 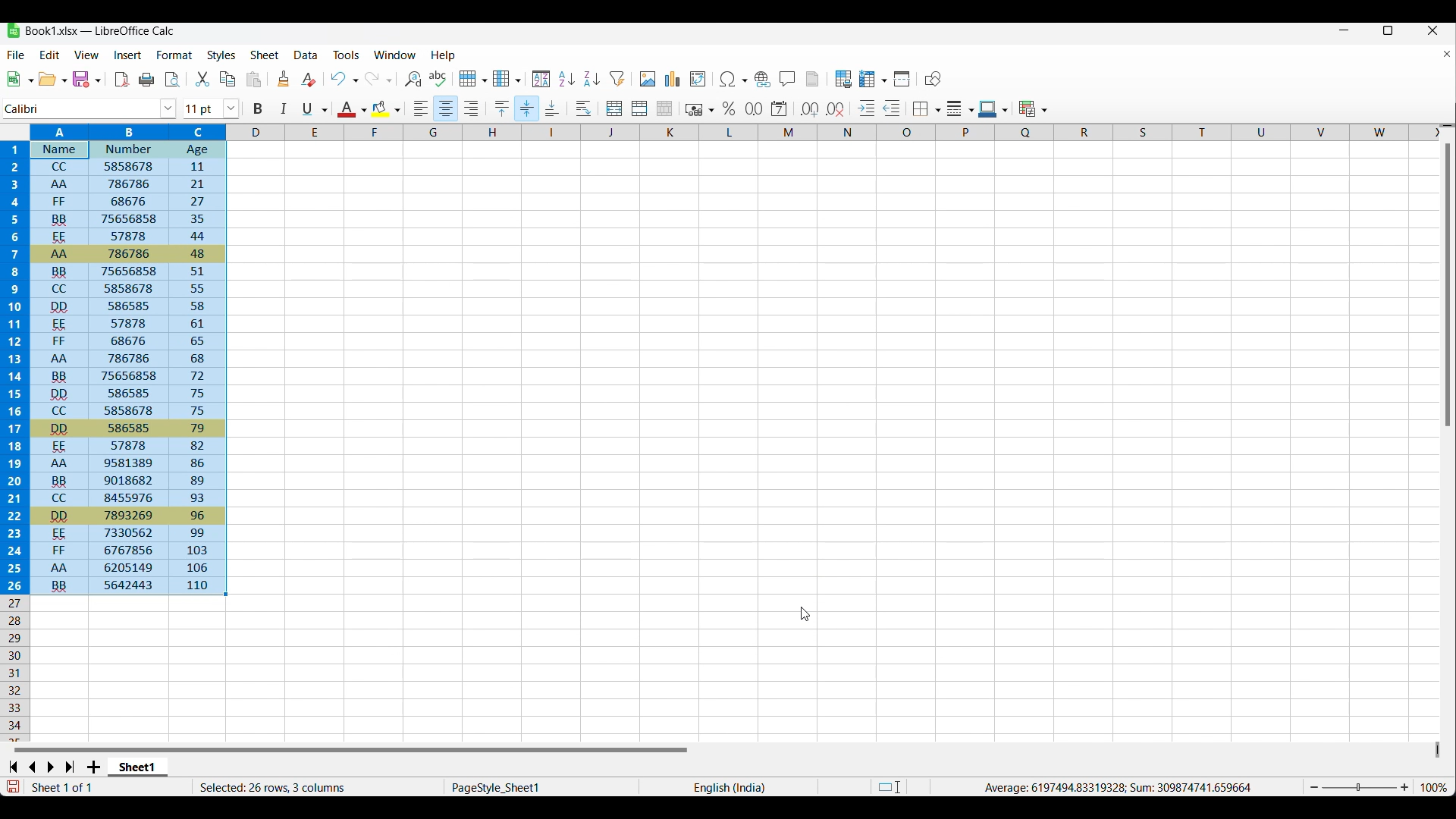 What do you see at coordinates (874, 79) in the screenshot?
I see `Freeze rows and columns` at bounding box center [874, 79].